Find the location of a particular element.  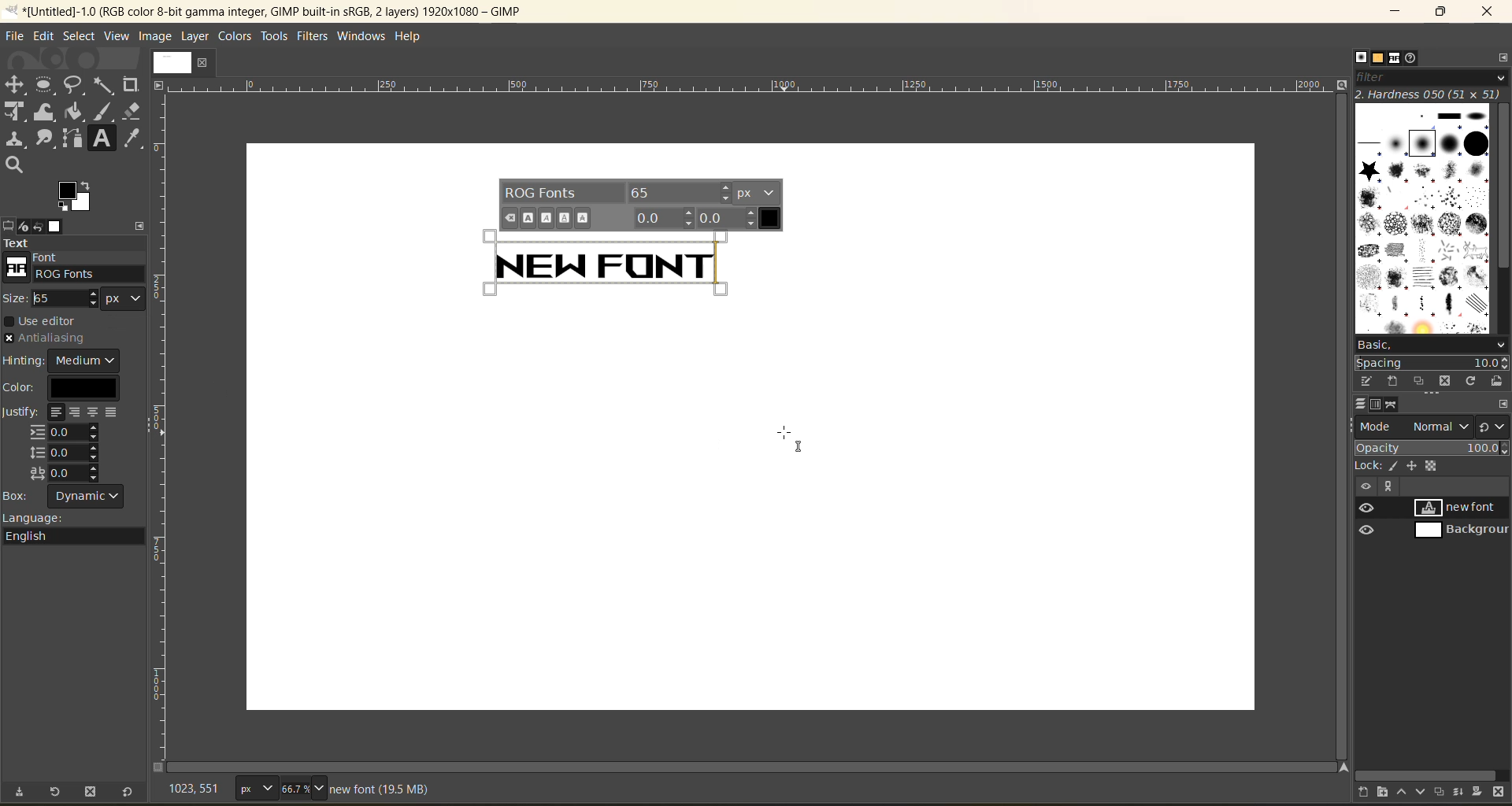

restore tool preset is located at coordinates (57, 793).